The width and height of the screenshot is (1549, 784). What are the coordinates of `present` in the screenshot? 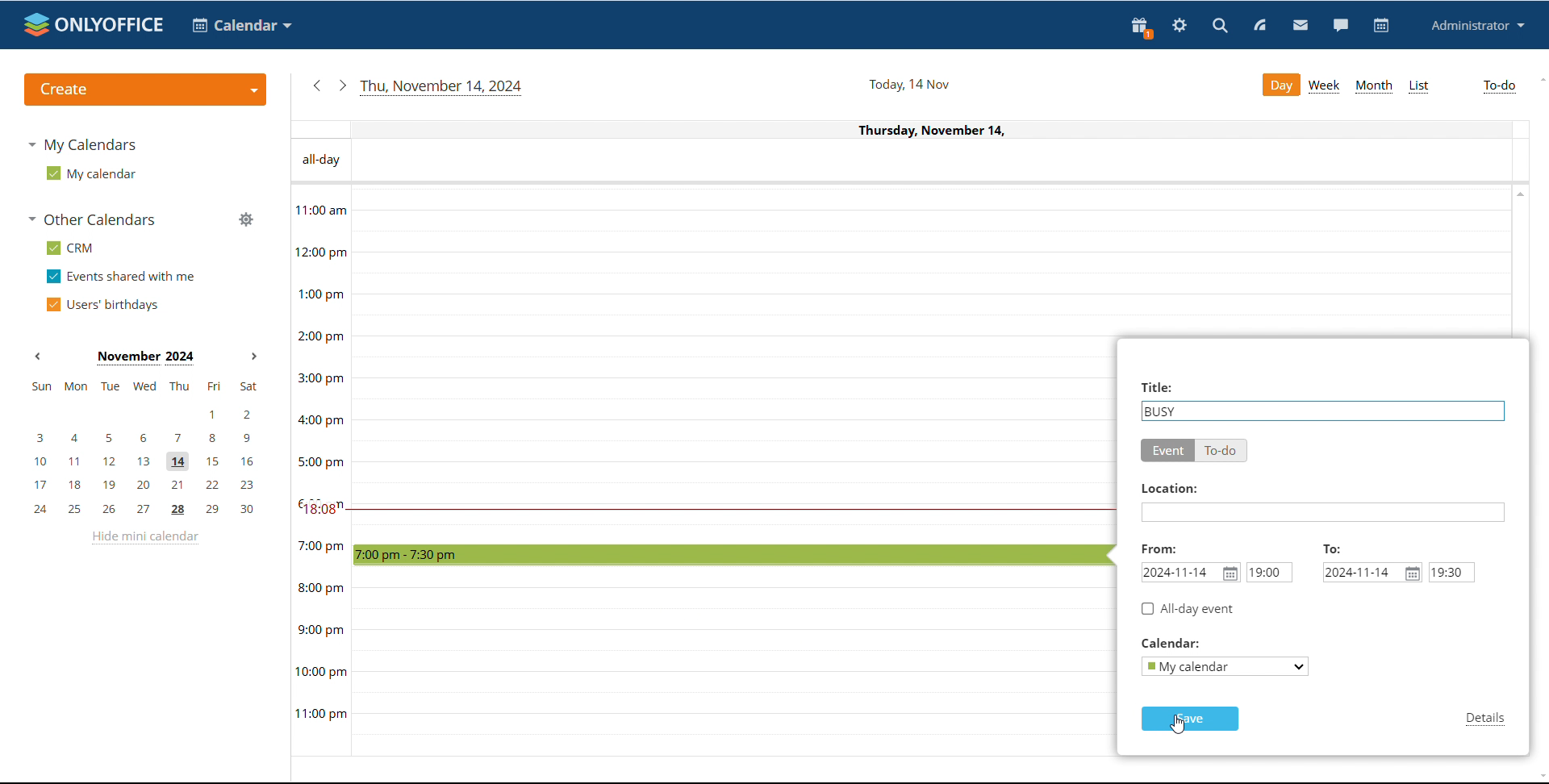 It's located at (1142, 27).